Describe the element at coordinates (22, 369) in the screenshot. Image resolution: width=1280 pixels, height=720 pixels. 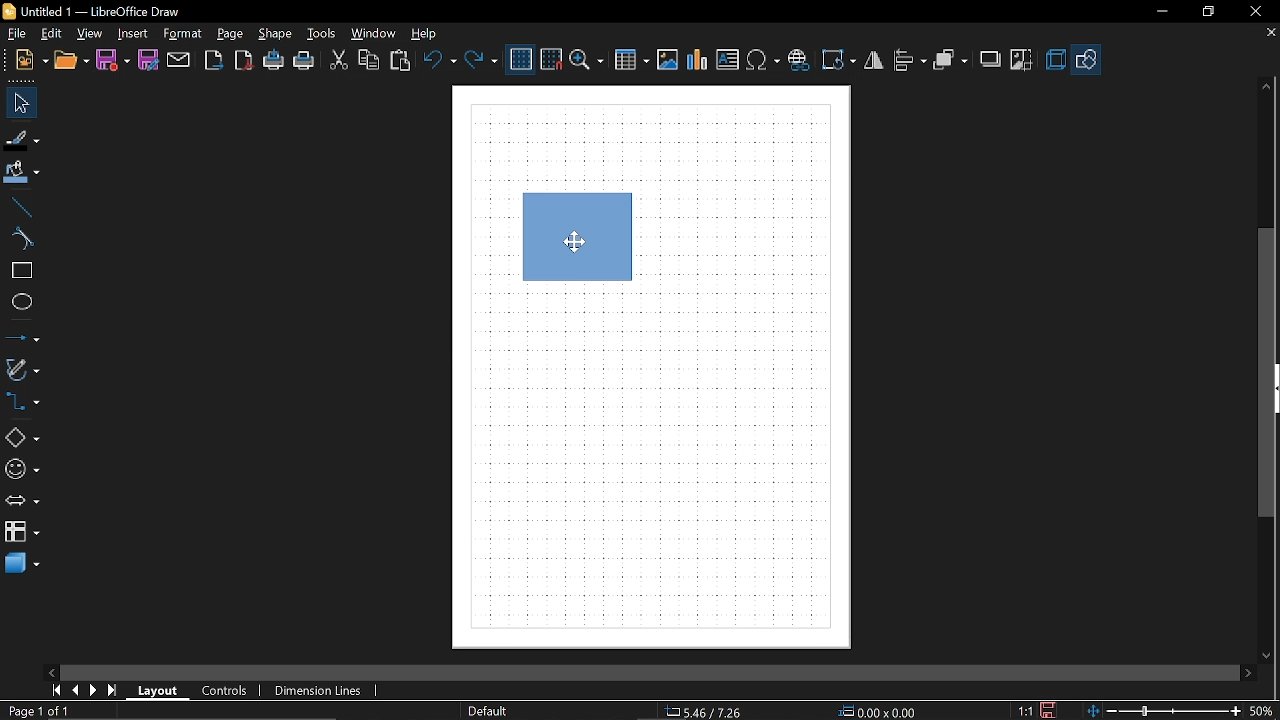
I see `Curves and polygon` at that location.